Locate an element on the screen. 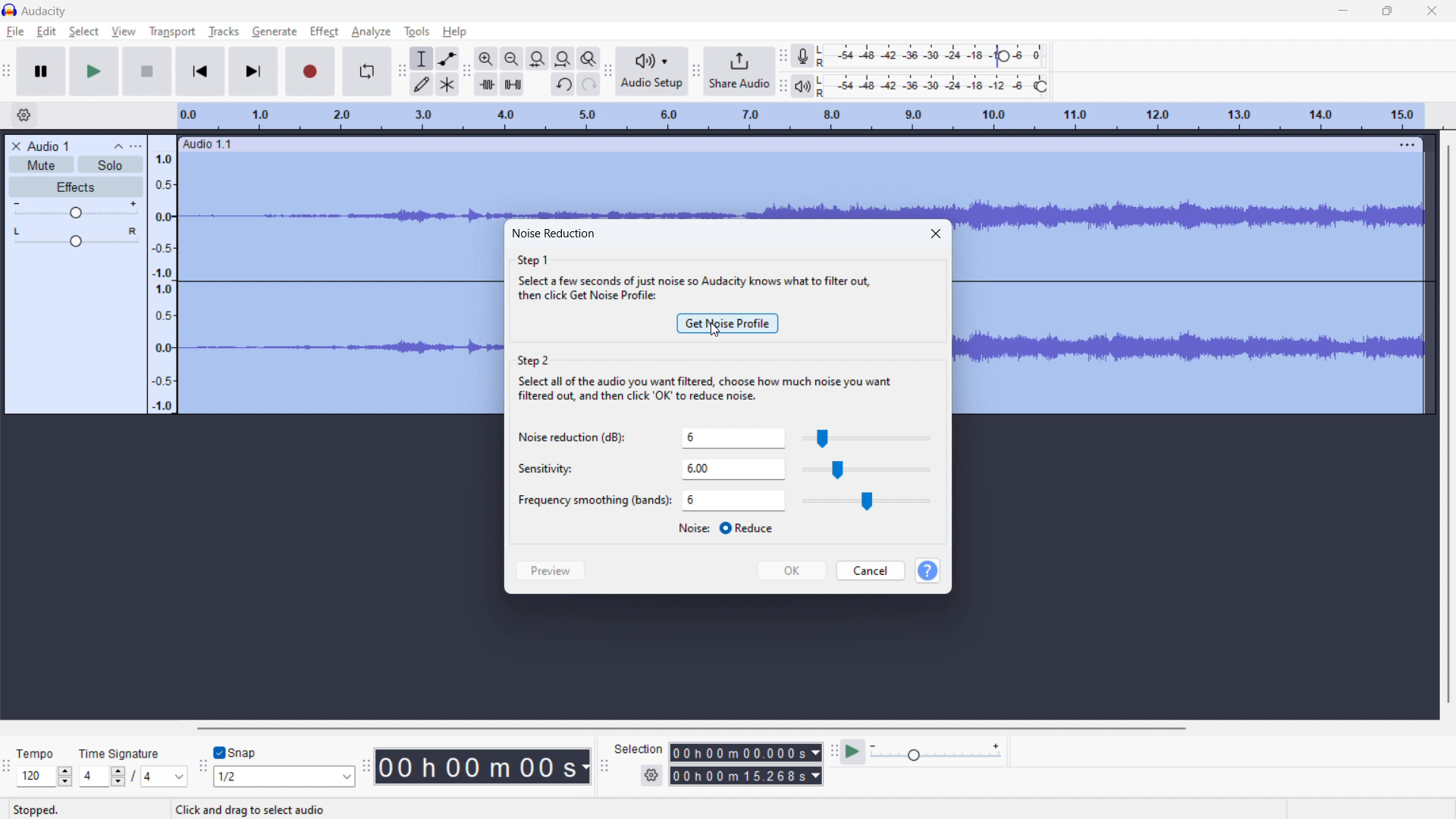  tracks is located at coordinates (223, 31).